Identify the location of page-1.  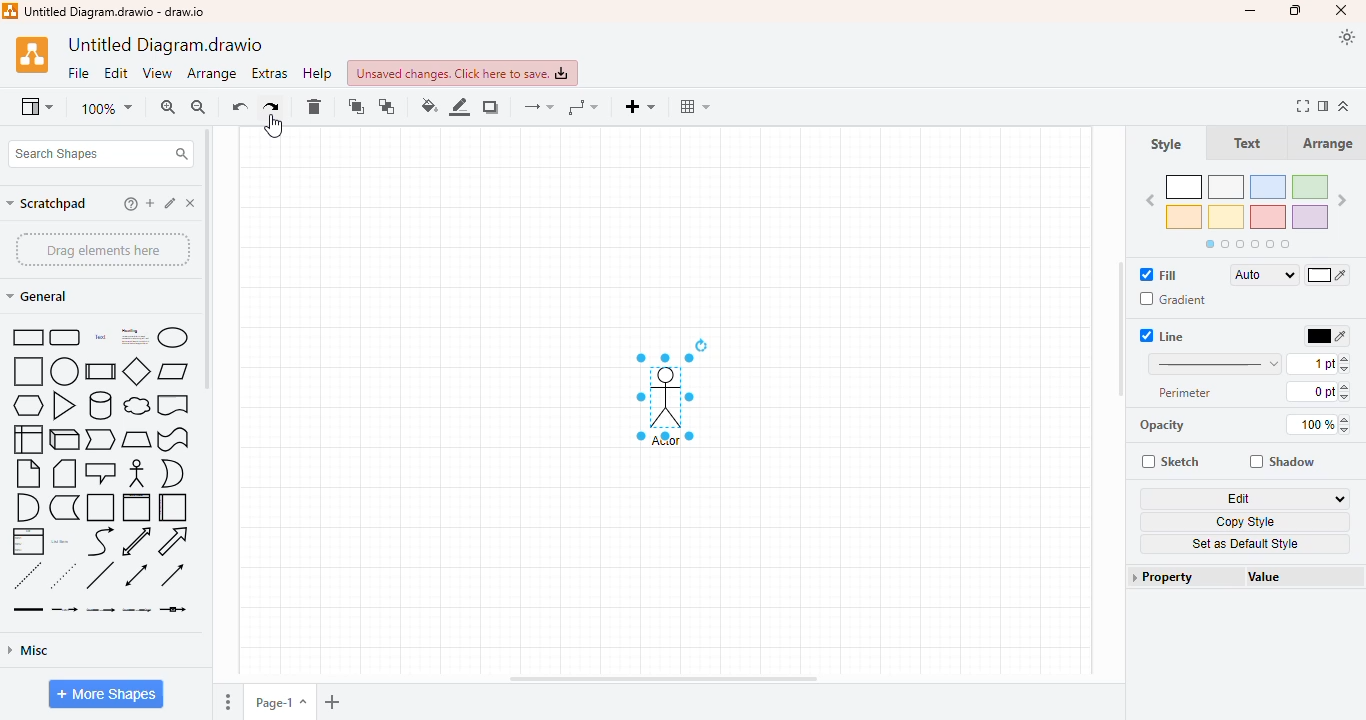
(279, 701).